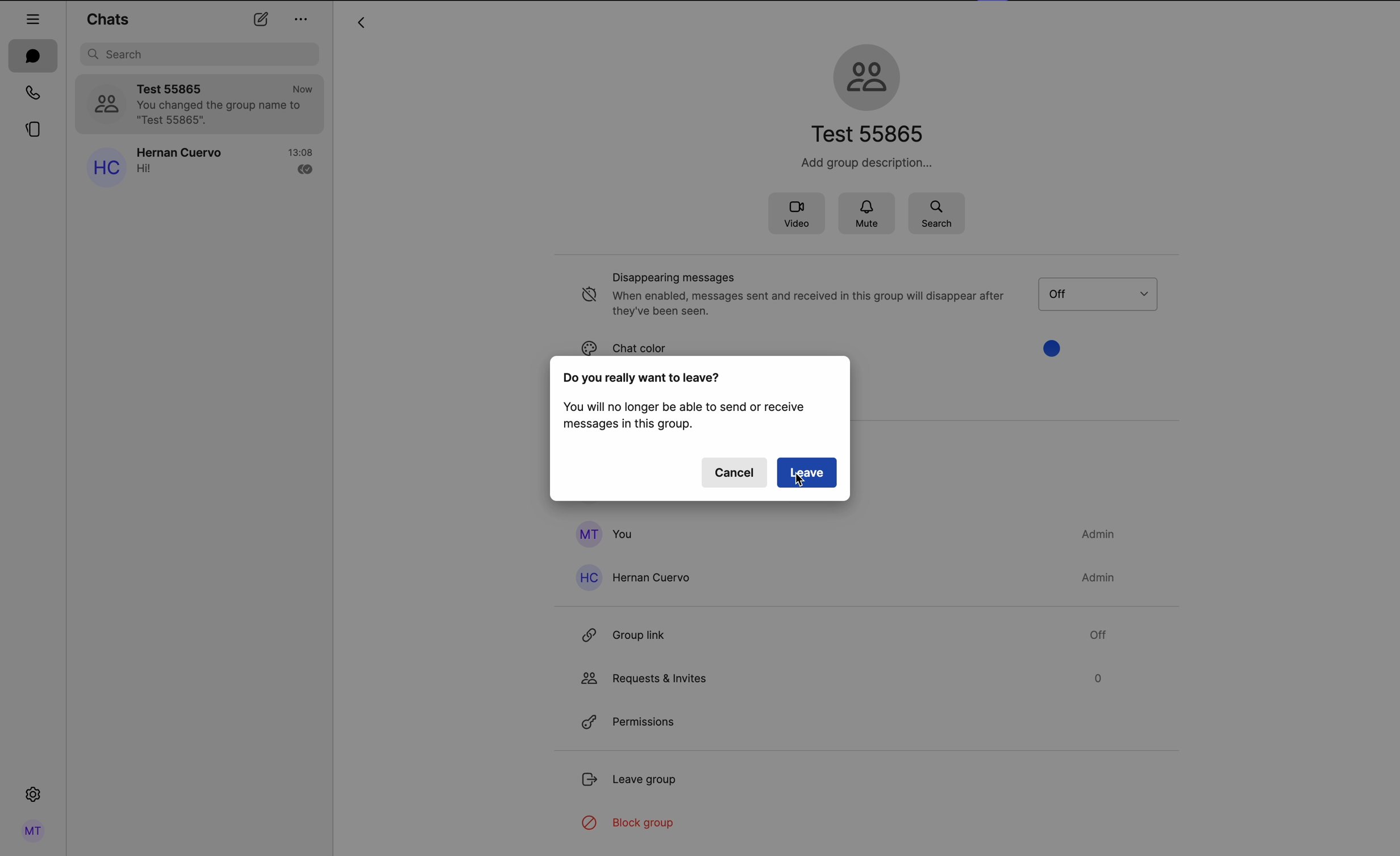 This screenshot has width=1400, height=856. What do you see at coordinates (864, 163) in the screenshot?
I see `add group description` at bounding box center [864, 163].